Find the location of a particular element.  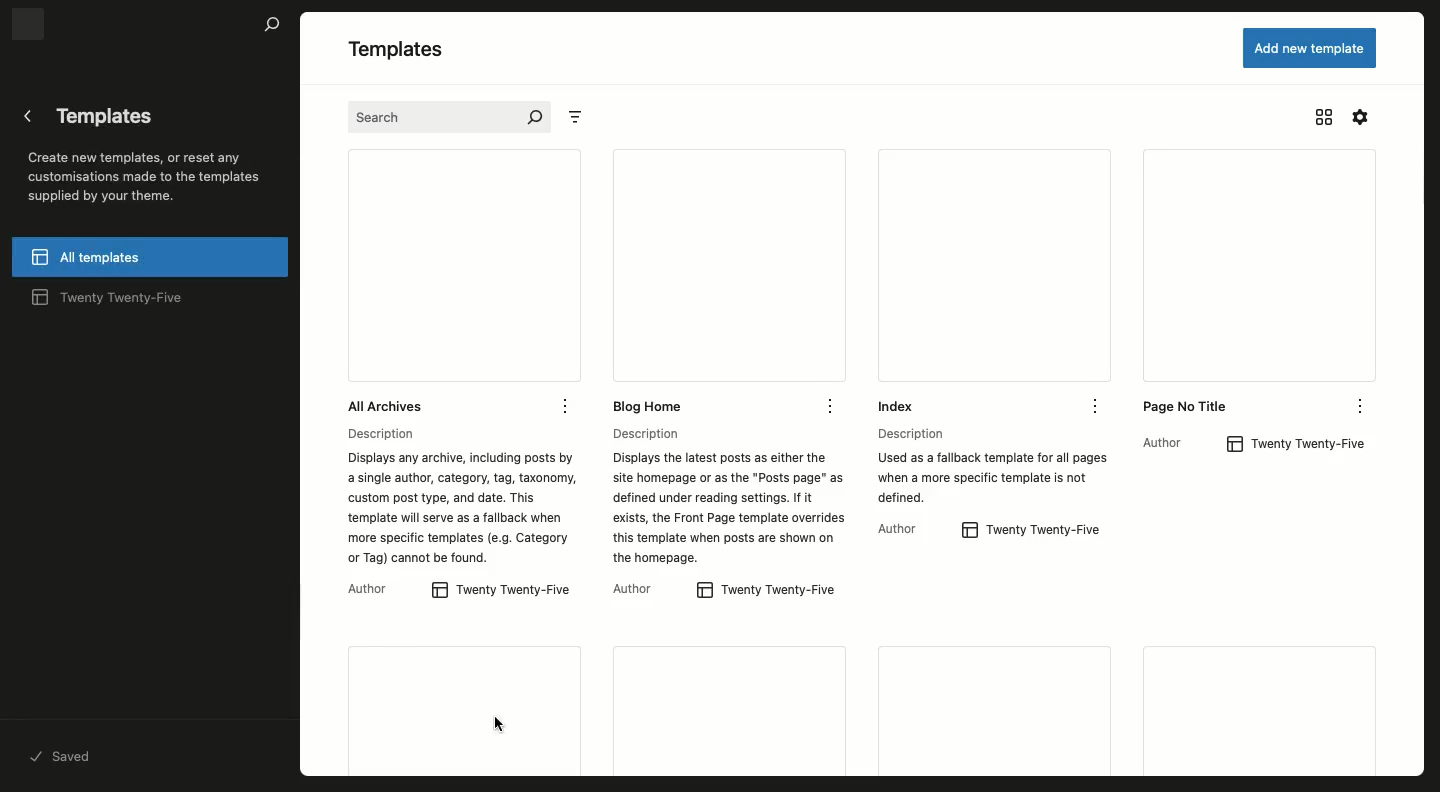

 Twenty Twenty-Five is located at coordinates (1312, 445).